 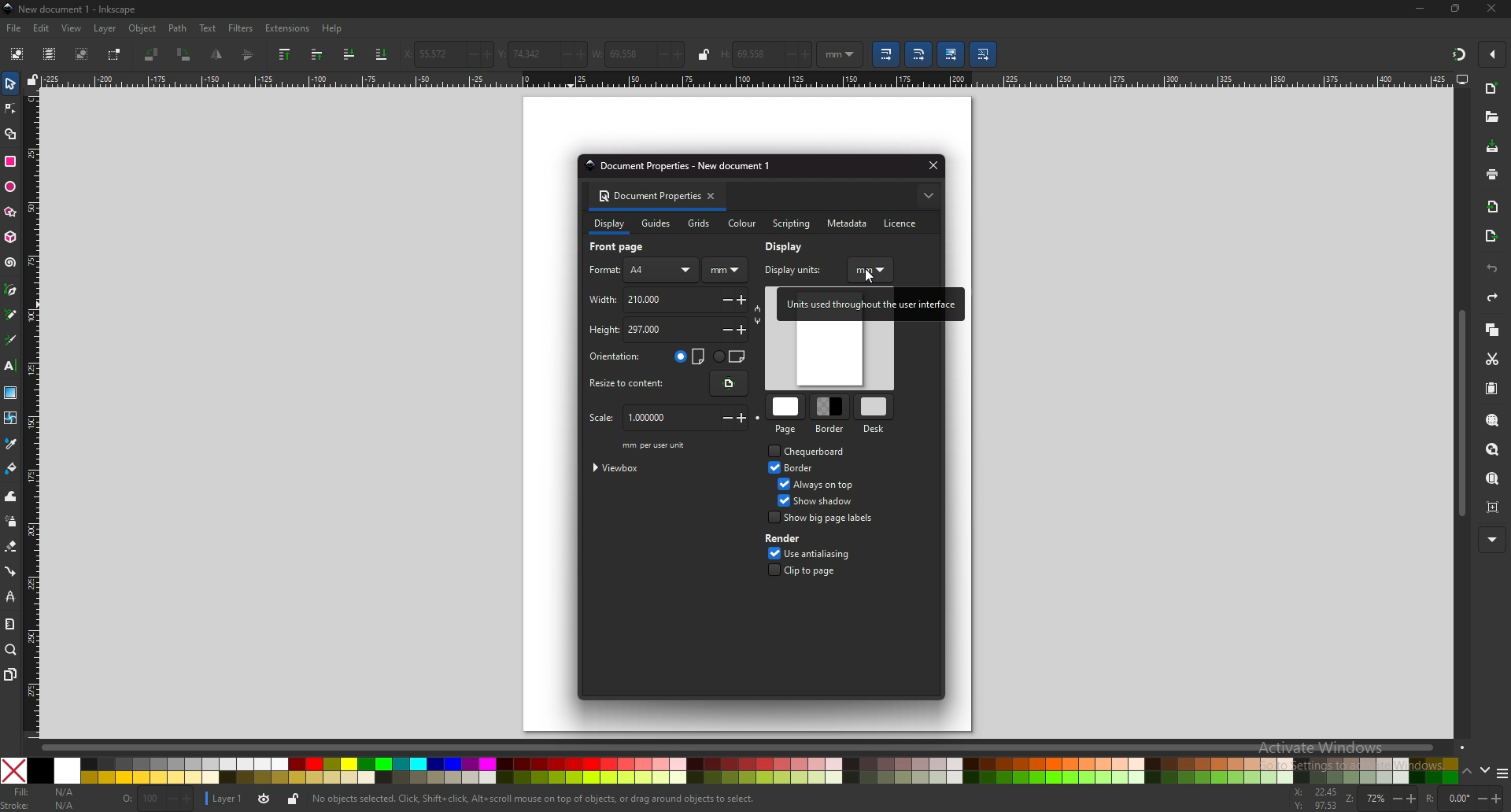 What do you see at coordinates (680, 56) in the screenshot?
I see `+` at bounding box center [680, 56].